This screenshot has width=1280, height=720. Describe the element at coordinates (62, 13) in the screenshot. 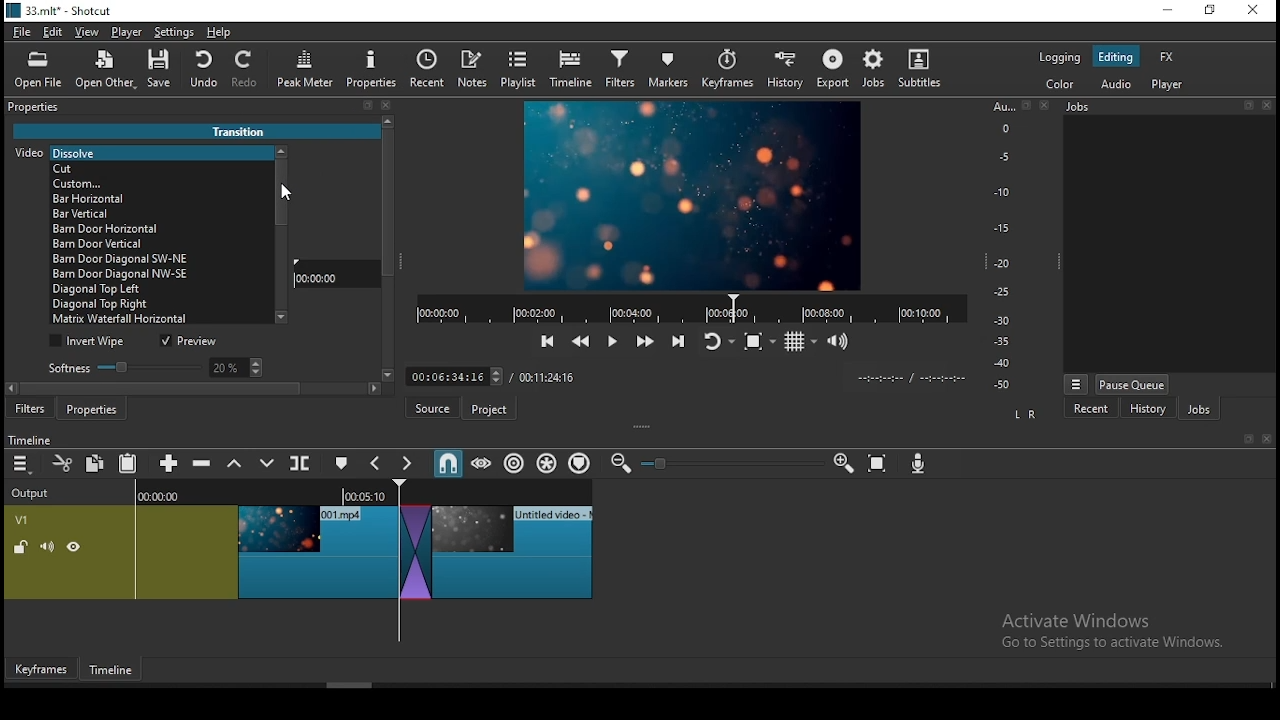

I see `icon and file name` at that location.